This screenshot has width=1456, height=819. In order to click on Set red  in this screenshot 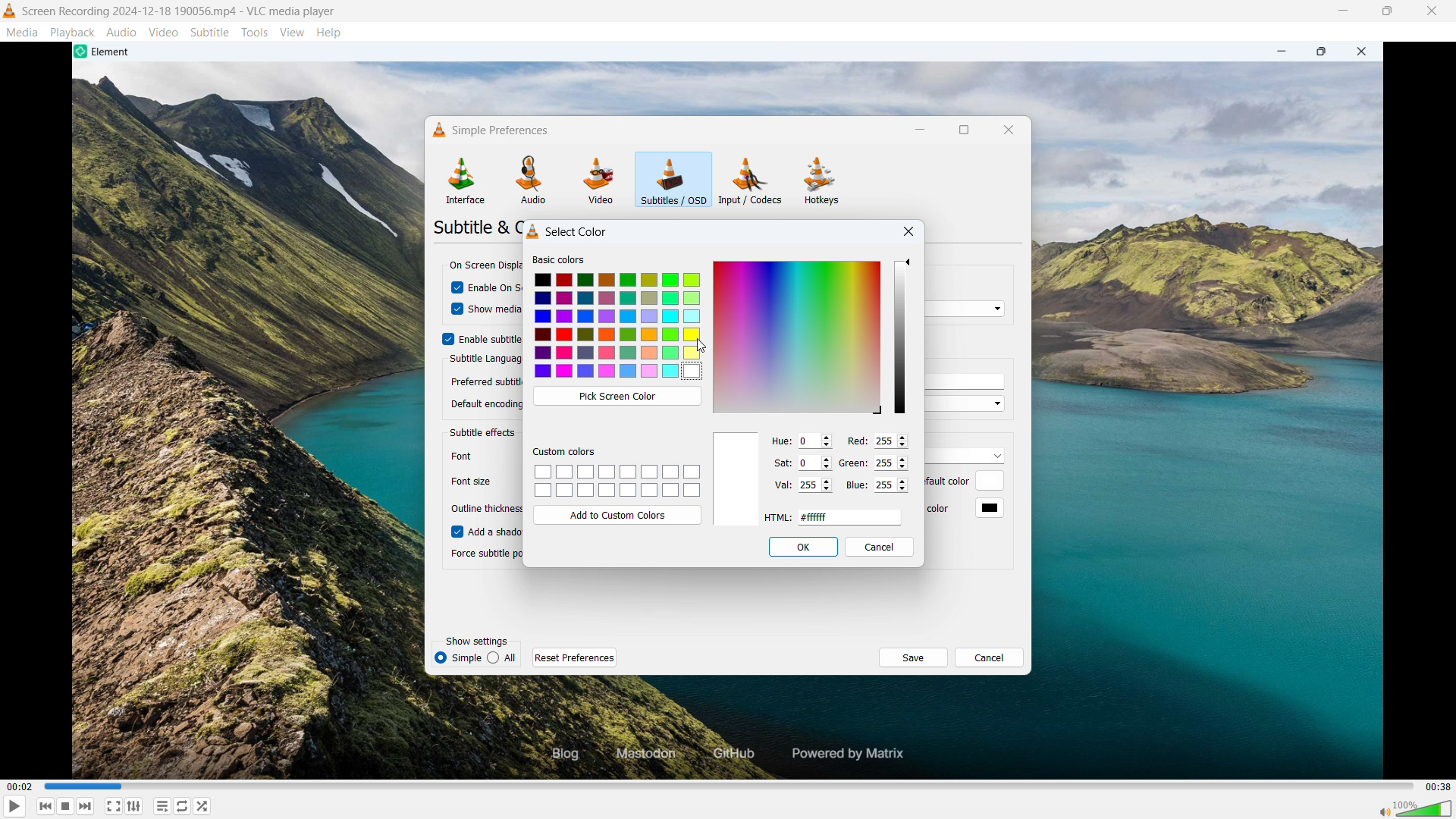, I will do `click(890, 441)`.